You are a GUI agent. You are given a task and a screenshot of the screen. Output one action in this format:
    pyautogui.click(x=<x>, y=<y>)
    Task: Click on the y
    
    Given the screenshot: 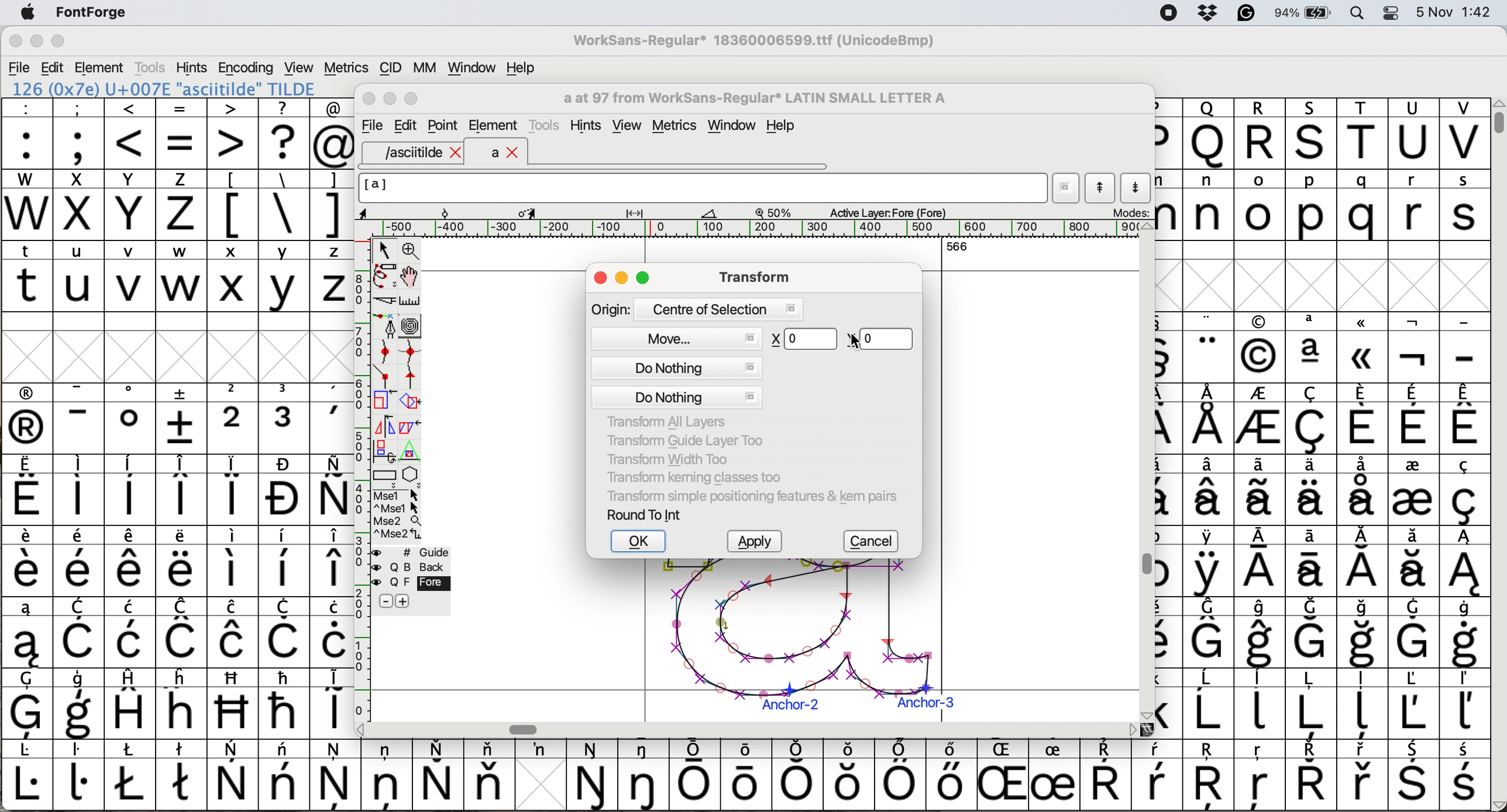 What is the action you would take?
    pyautogui.click(x=282, y=277)
    